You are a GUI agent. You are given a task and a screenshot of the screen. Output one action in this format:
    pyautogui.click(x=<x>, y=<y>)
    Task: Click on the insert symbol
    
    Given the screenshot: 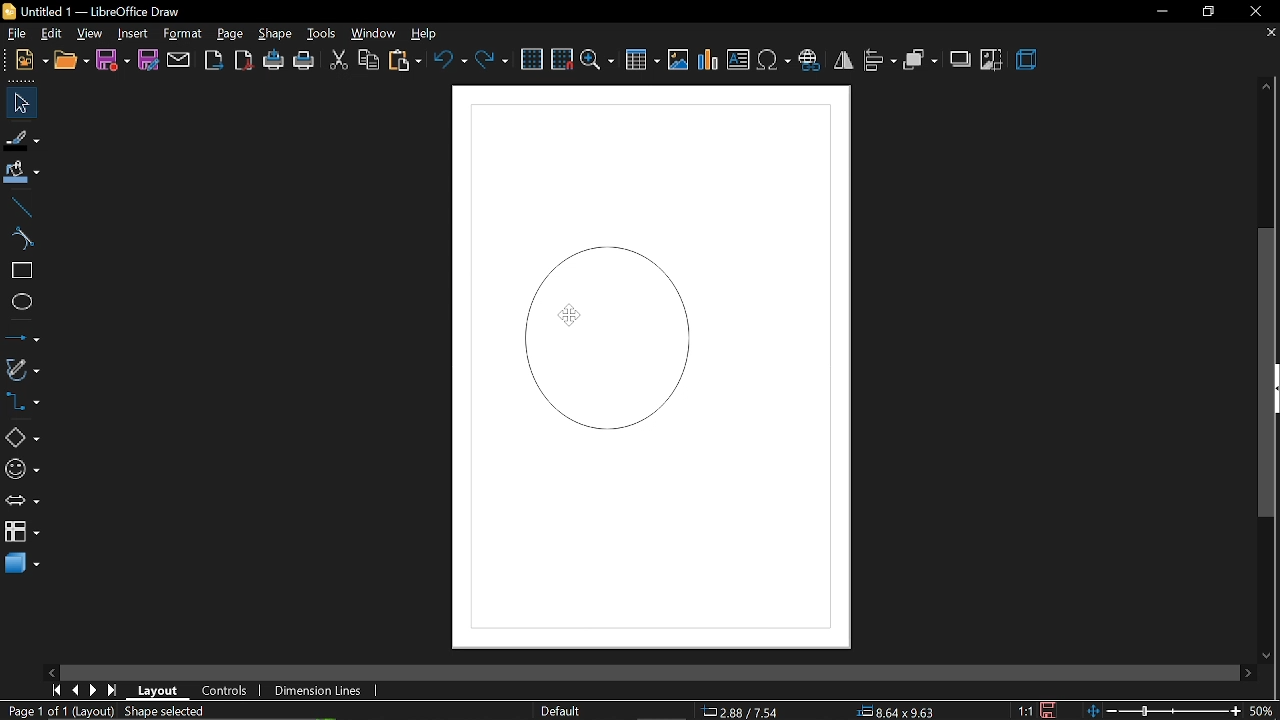 What is the action you would take?
    pyautogui.click(x=773, y=60)
    